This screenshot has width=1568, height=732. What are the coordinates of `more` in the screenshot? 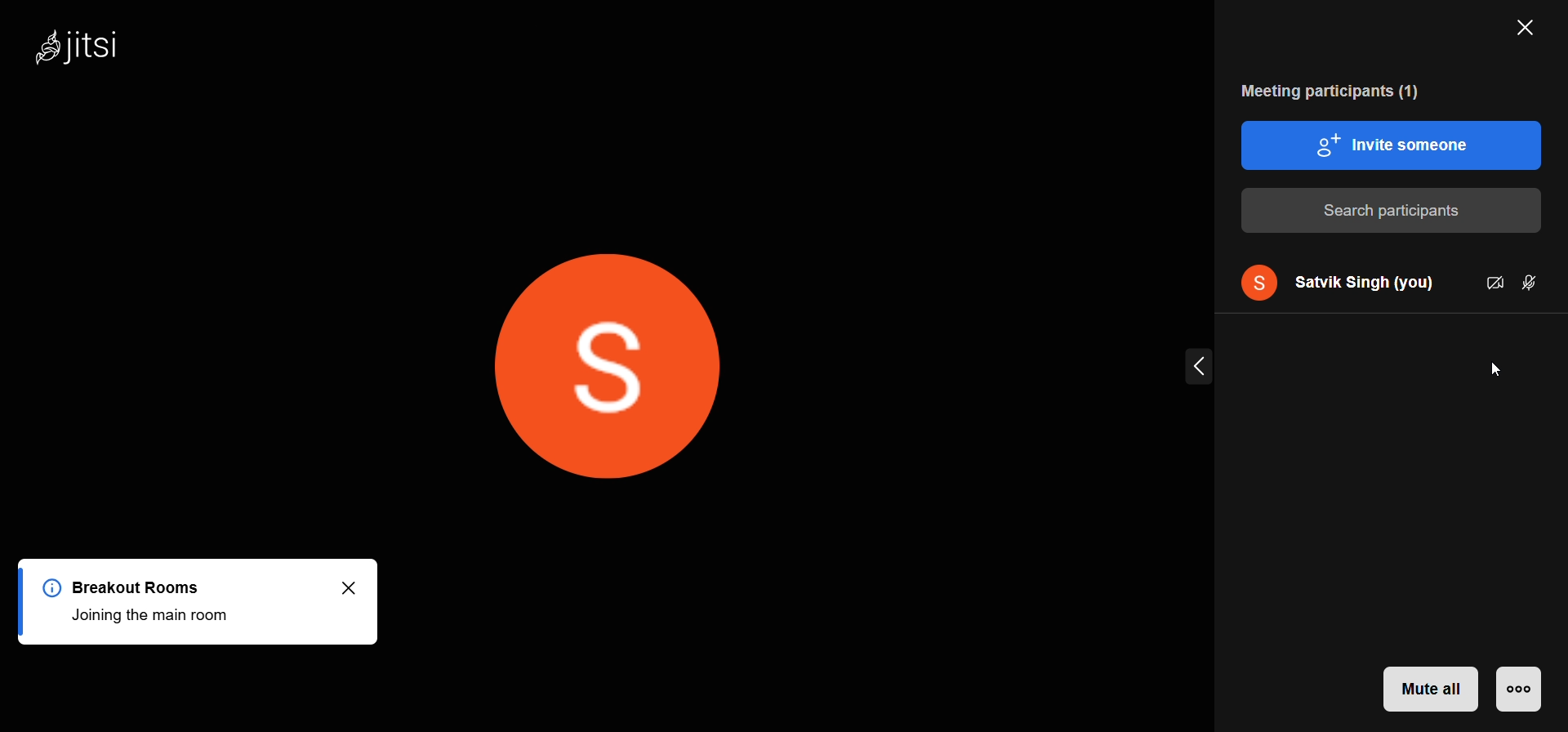 It's located at (1521, 690).